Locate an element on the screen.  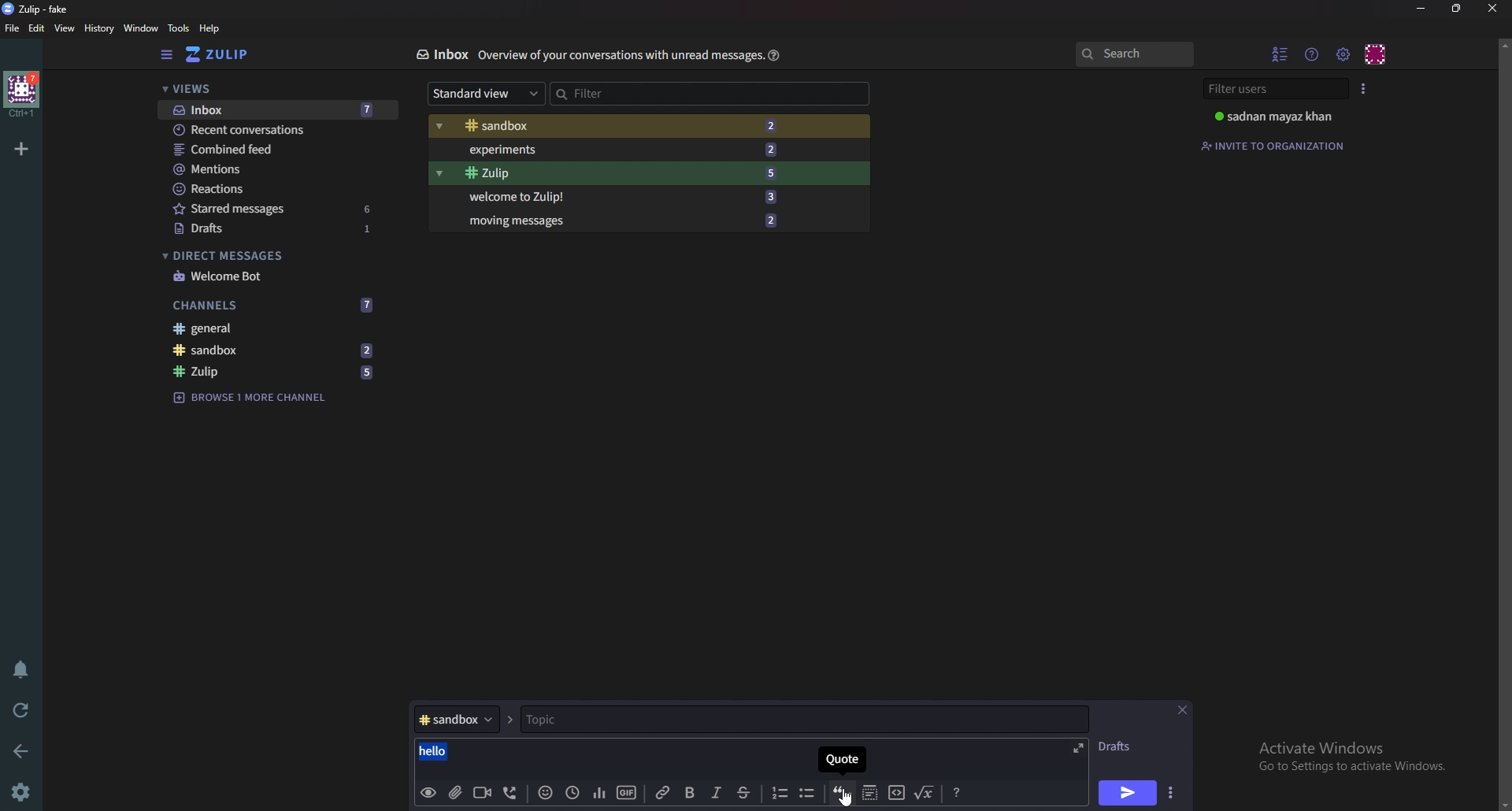
Tools is located at coordinates (180, 29).